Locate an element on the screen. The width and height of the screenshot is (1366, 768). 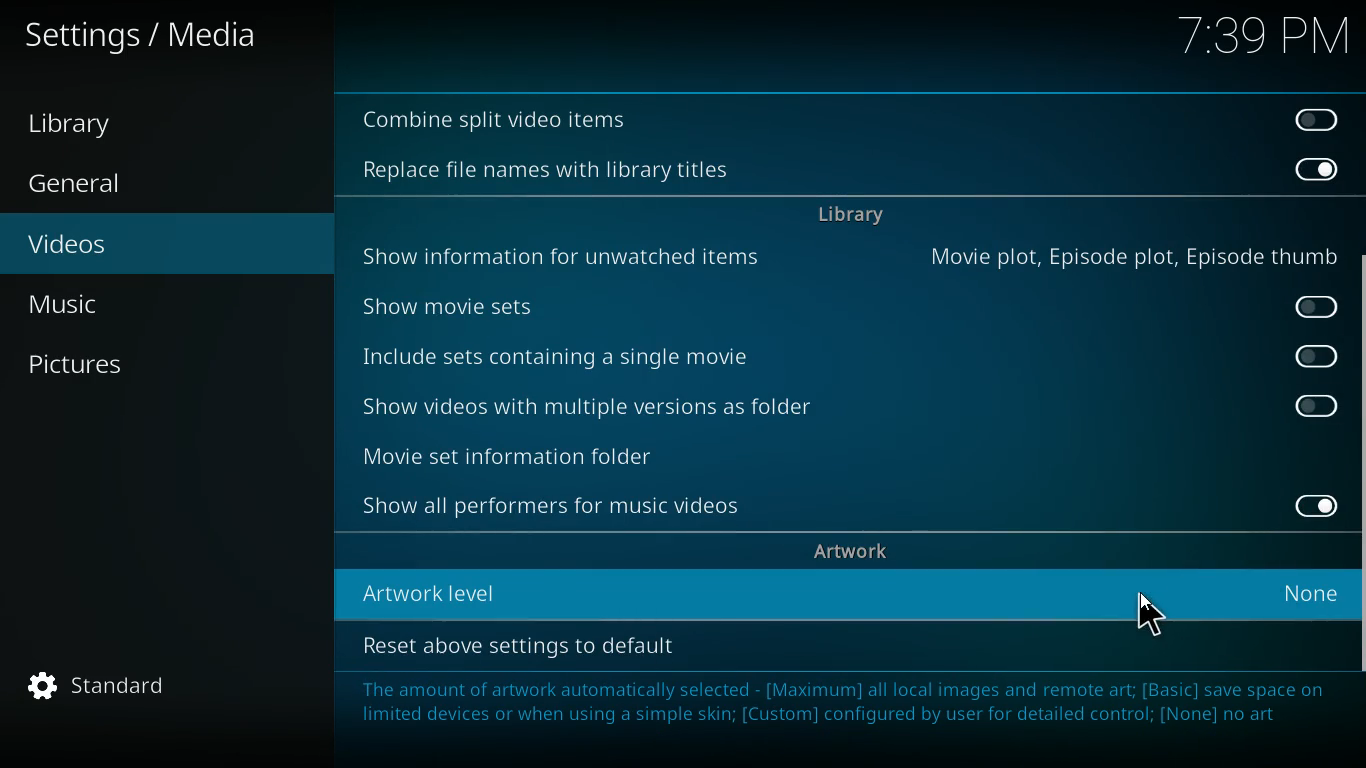
videos is located at coordinates (150, 246).